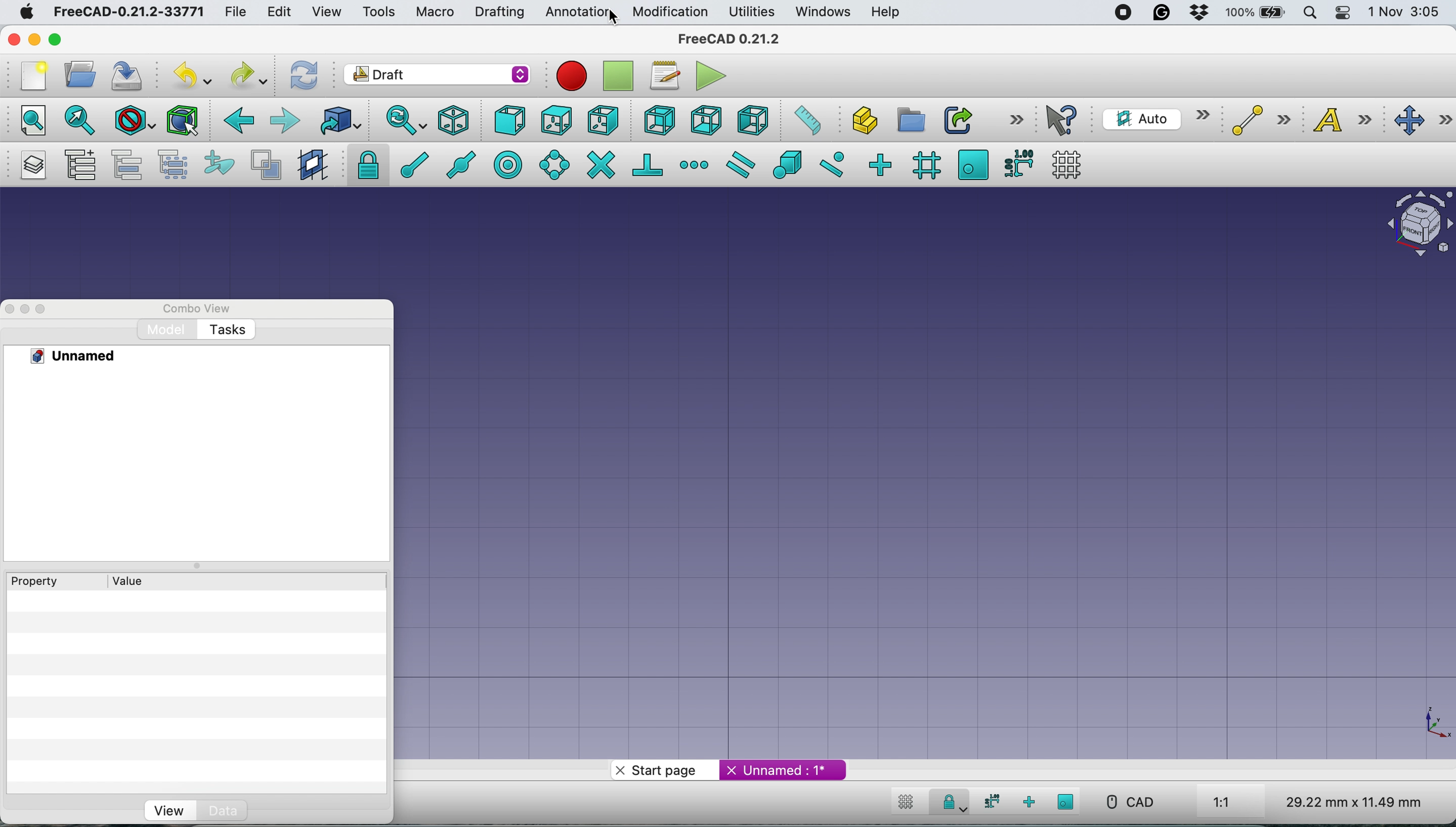 The image size is (1456, 827). Describe the element at coordinates (576, 13) in the screenshot. I see `annotation` at that location.